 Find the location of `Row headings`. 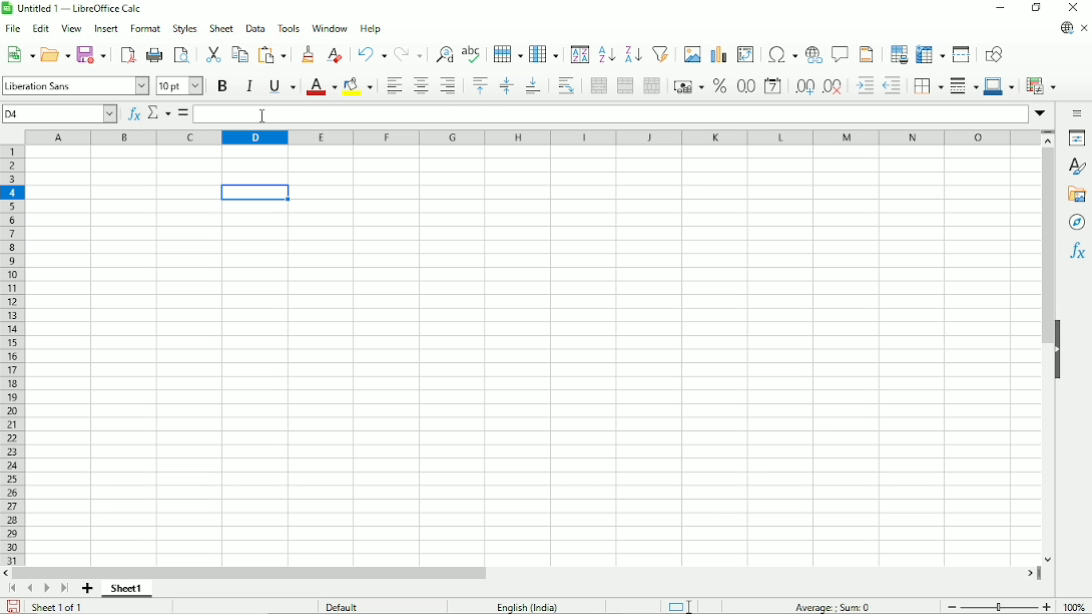

Row headings is located at coordinates (12, 354).